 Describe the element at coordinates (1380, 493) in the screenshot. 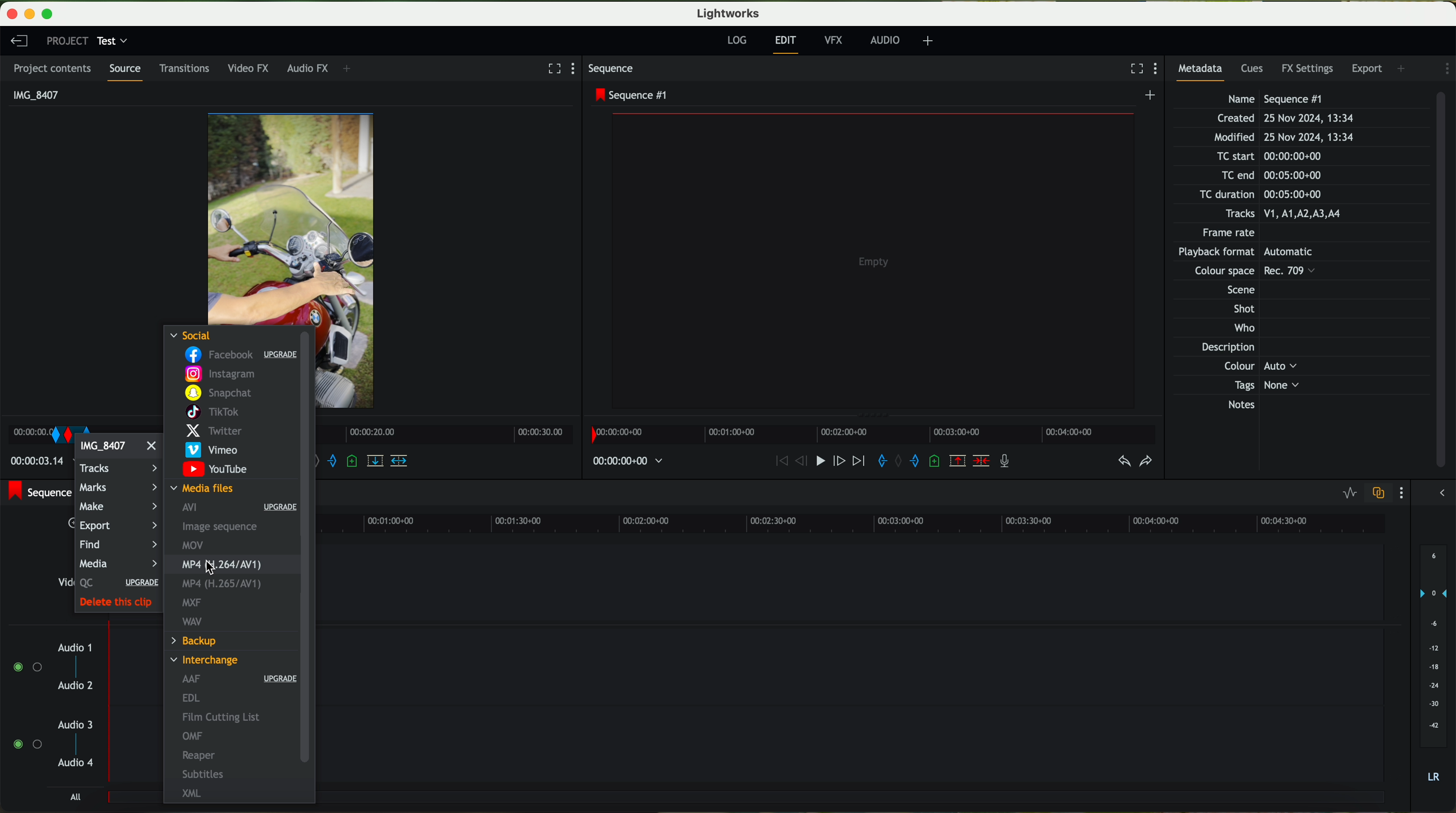

I see `toggle audio track sync` at that location.